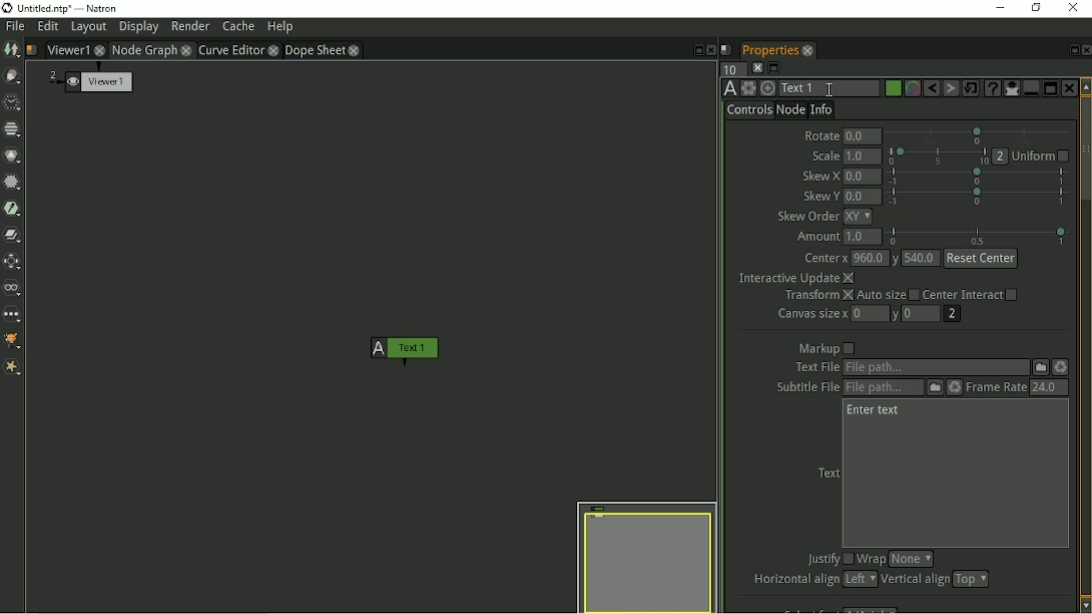 The image size is (1092, 614). What do you see at coordinates (790, 110) in the screenshot?
I see `Node` at bounding box center [790, 110].